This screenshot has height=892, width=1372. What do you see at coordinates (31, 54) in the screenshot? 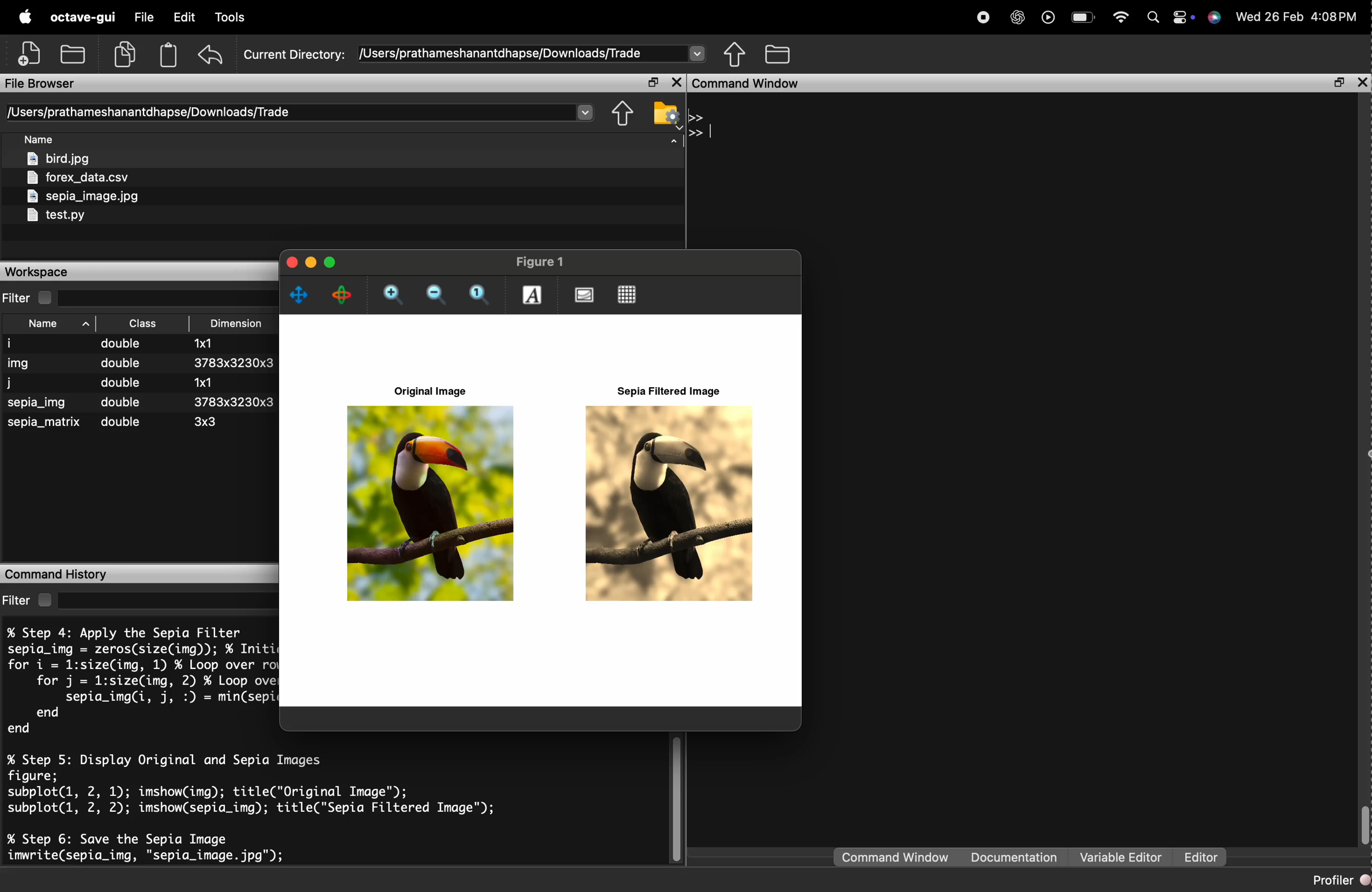
I see `add file` at bounding box center [31, 54].